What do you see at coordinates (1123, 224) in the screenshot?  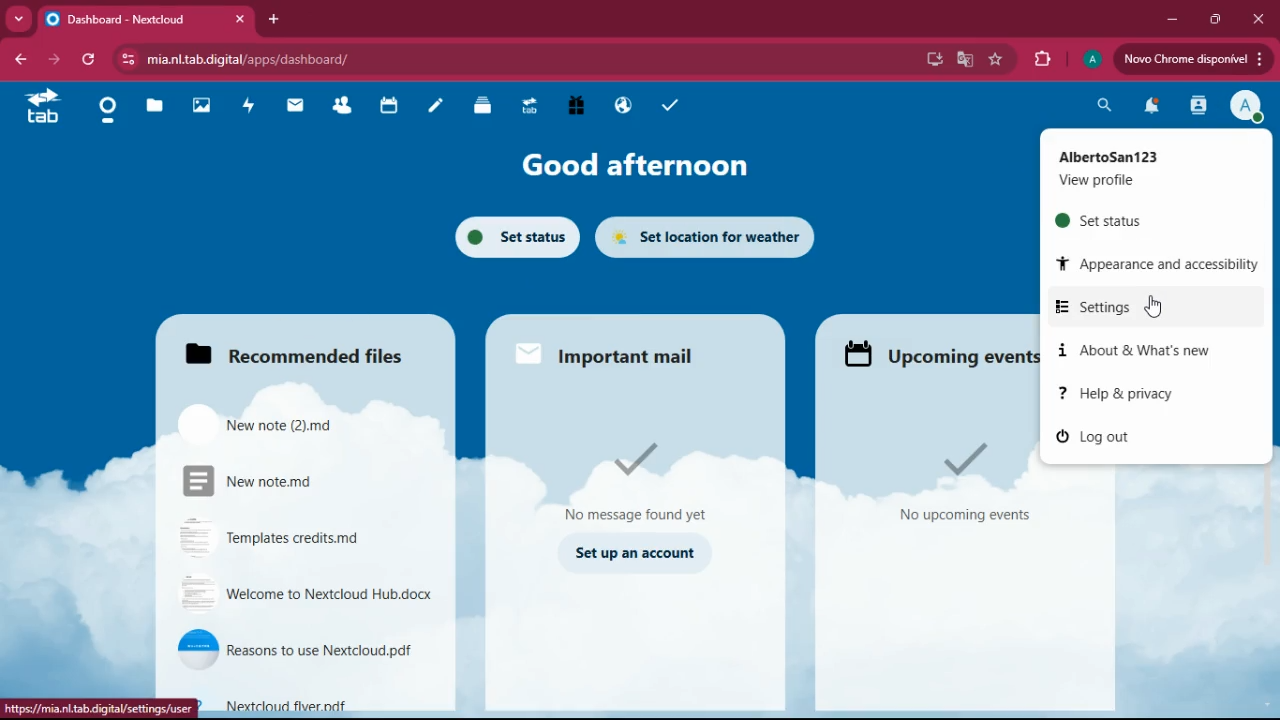 I see `set status` at bounding box center [1123, 224].